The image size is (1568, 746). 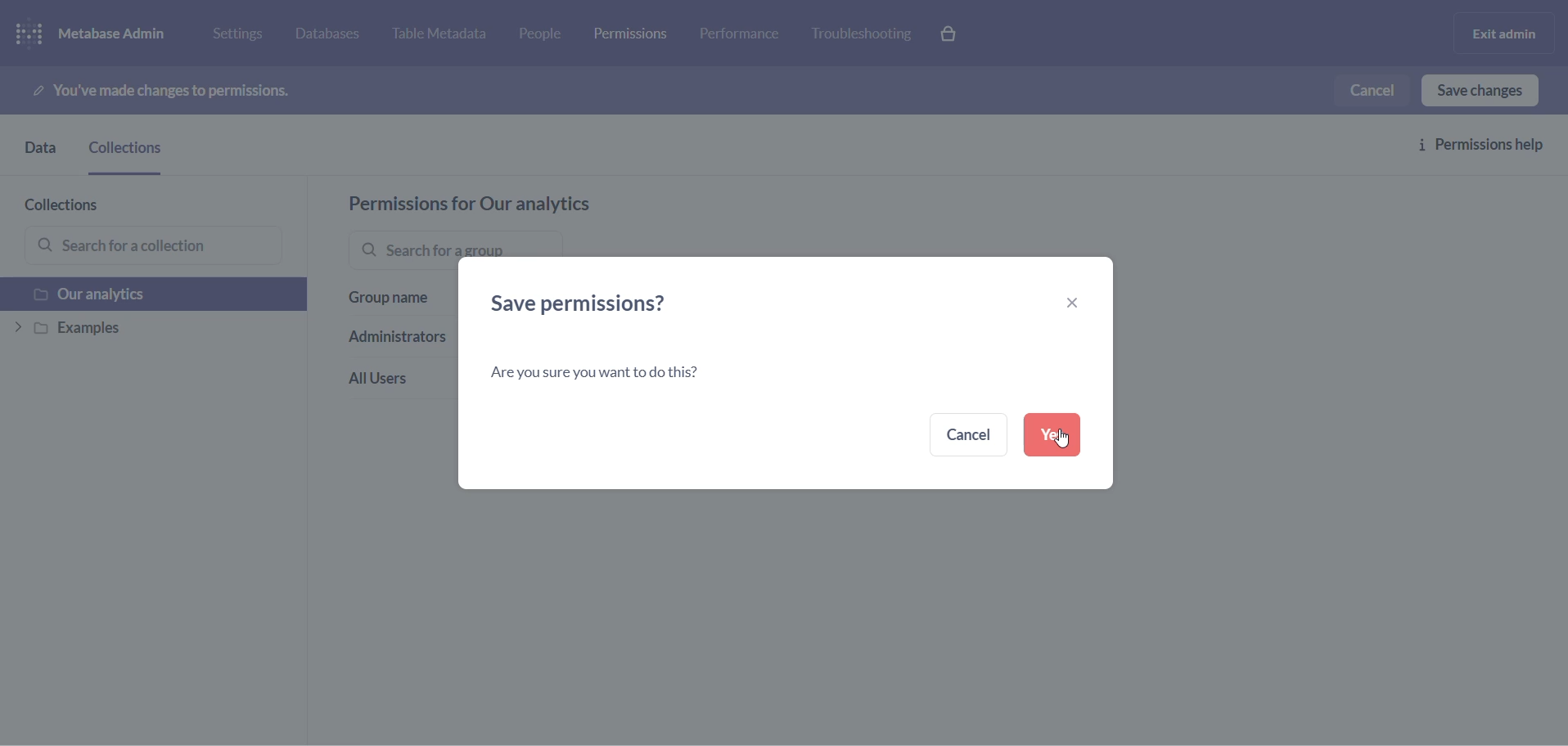 I want to click on text, so click(x=606, y=375).